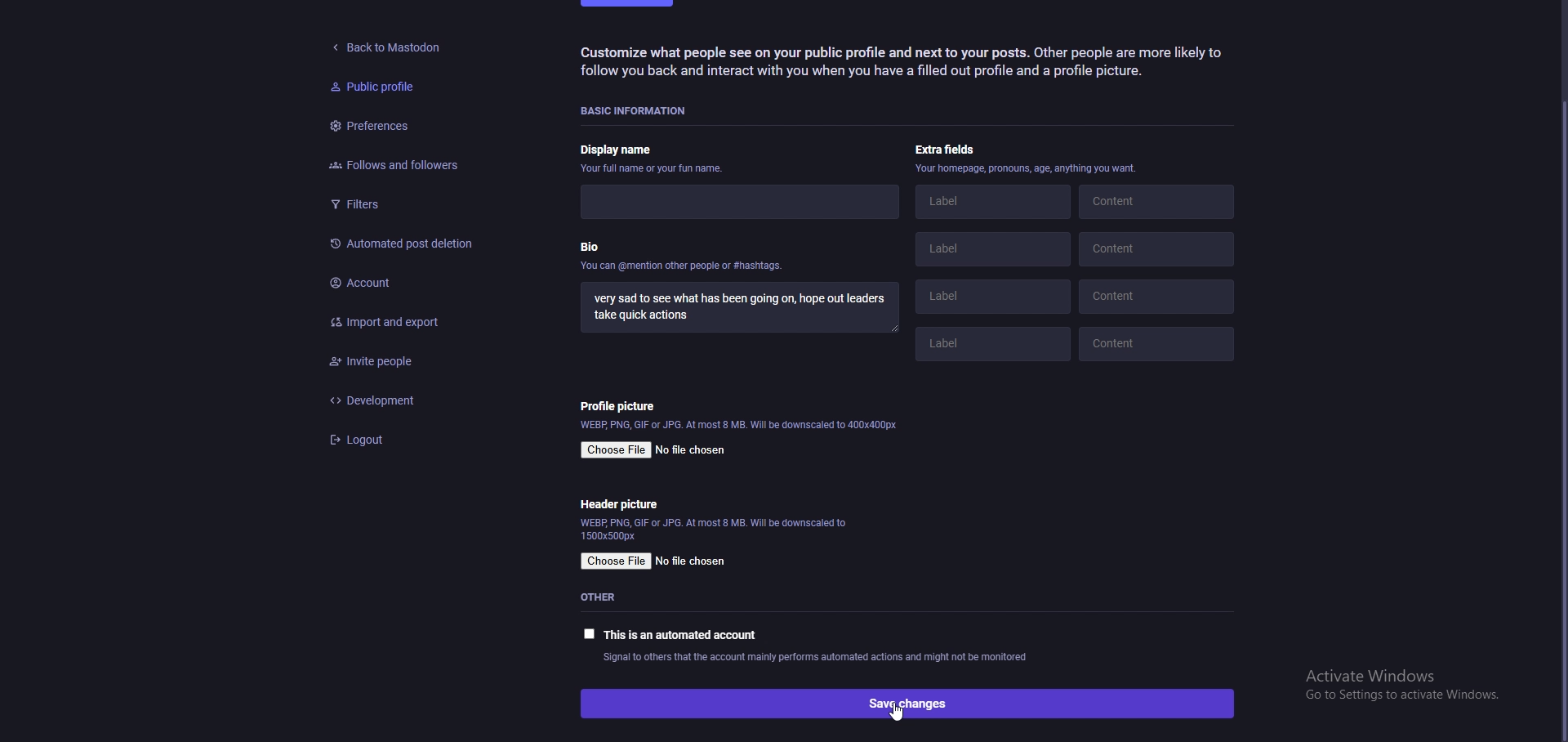 The width and height of the screenshot is (1568, 742). Describe the element at coordinates (370, 87) in the screenshot. I see `Public profile` at that location.